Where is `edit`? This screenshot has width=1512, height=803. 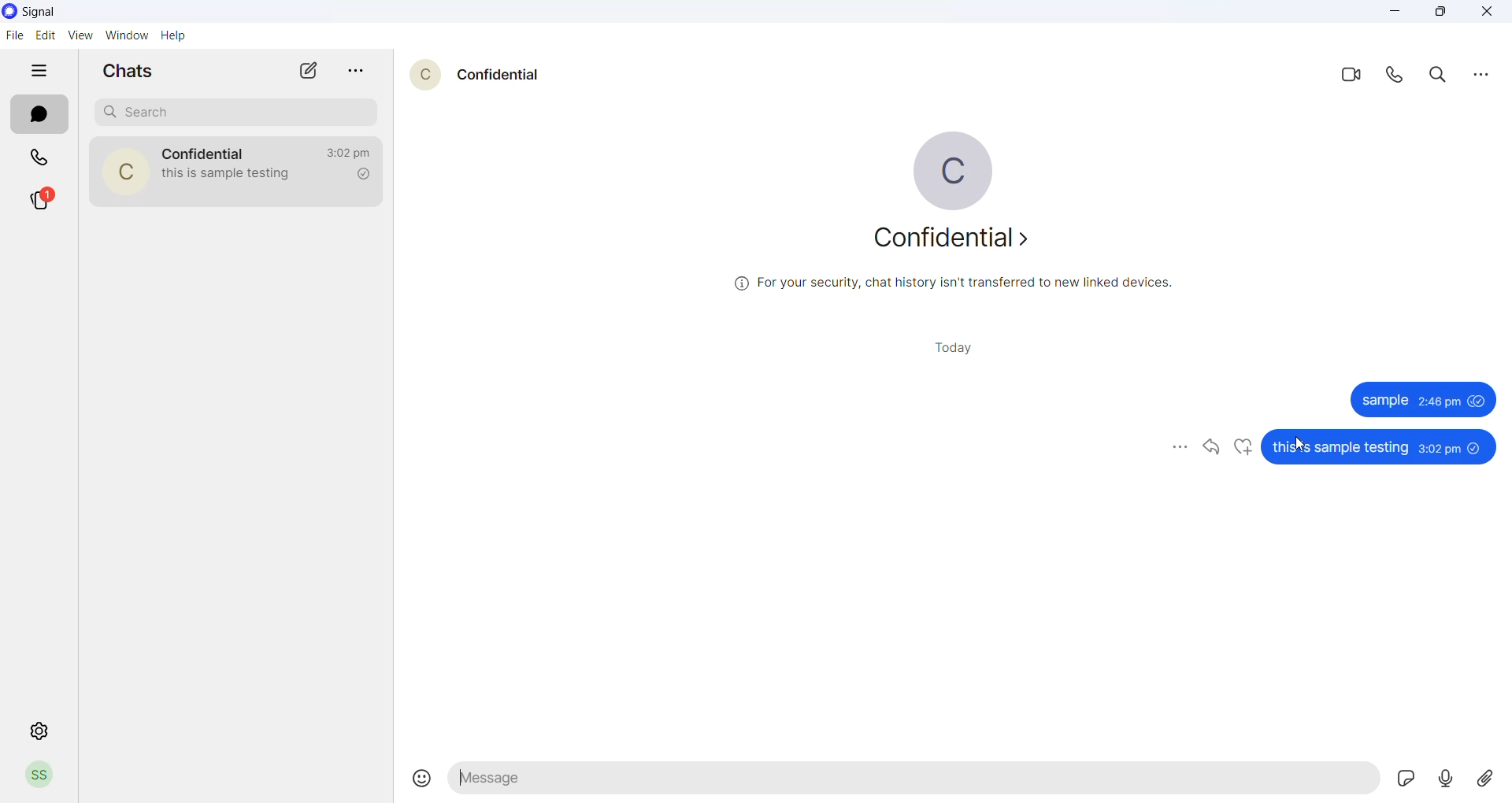 edit is located at coordinates (44, 34).